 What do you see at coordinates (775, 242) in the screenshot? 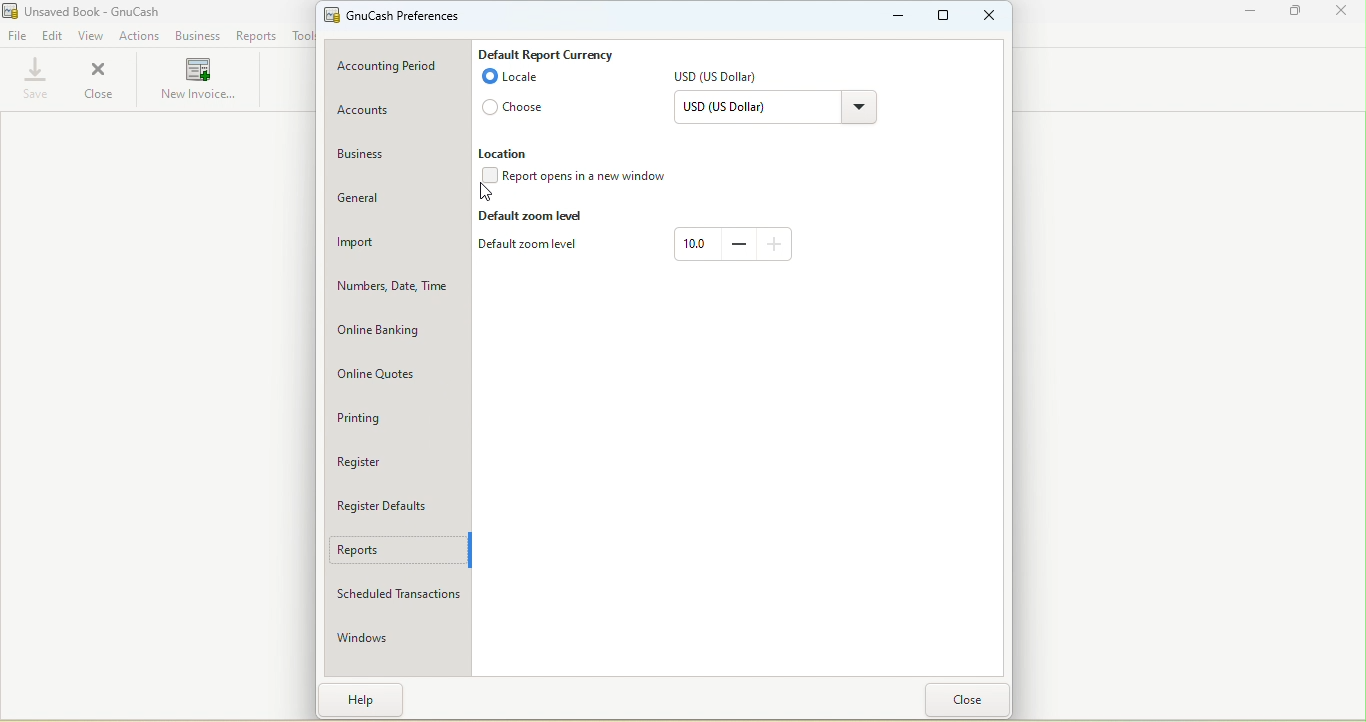
I see `Increase` at bounding box center [775, 242].